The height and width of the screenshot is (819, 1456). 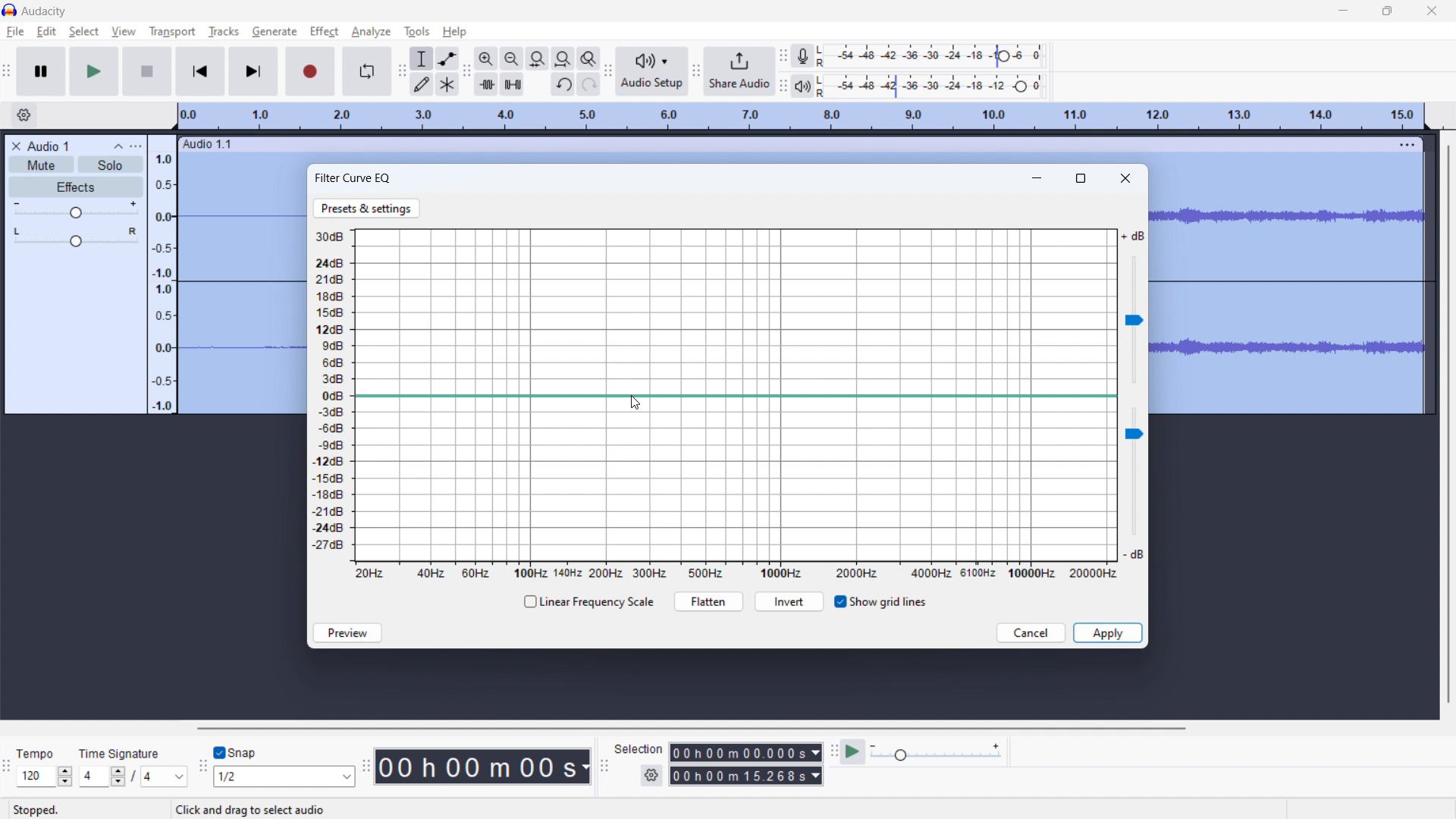 What do you see at coordinates (653, 71) in the screenshot?
I see `audio setup` at bounding box center [653, 71].